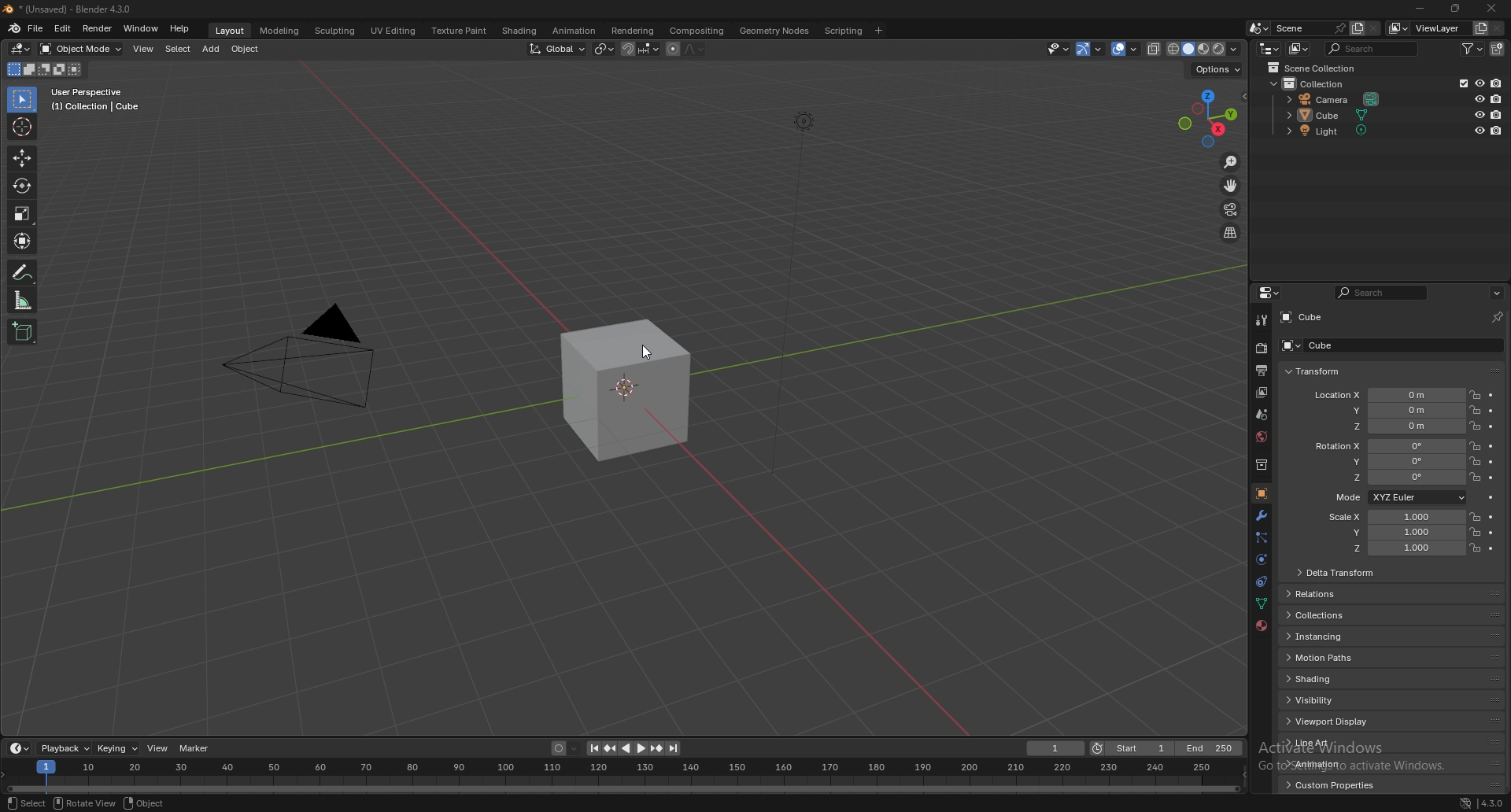 The height and width of the screenshot is (812, 1511). What do you see at coordinates (1232, 186) in the screenshot?
I see `move` at bounding box center [1232, 186].